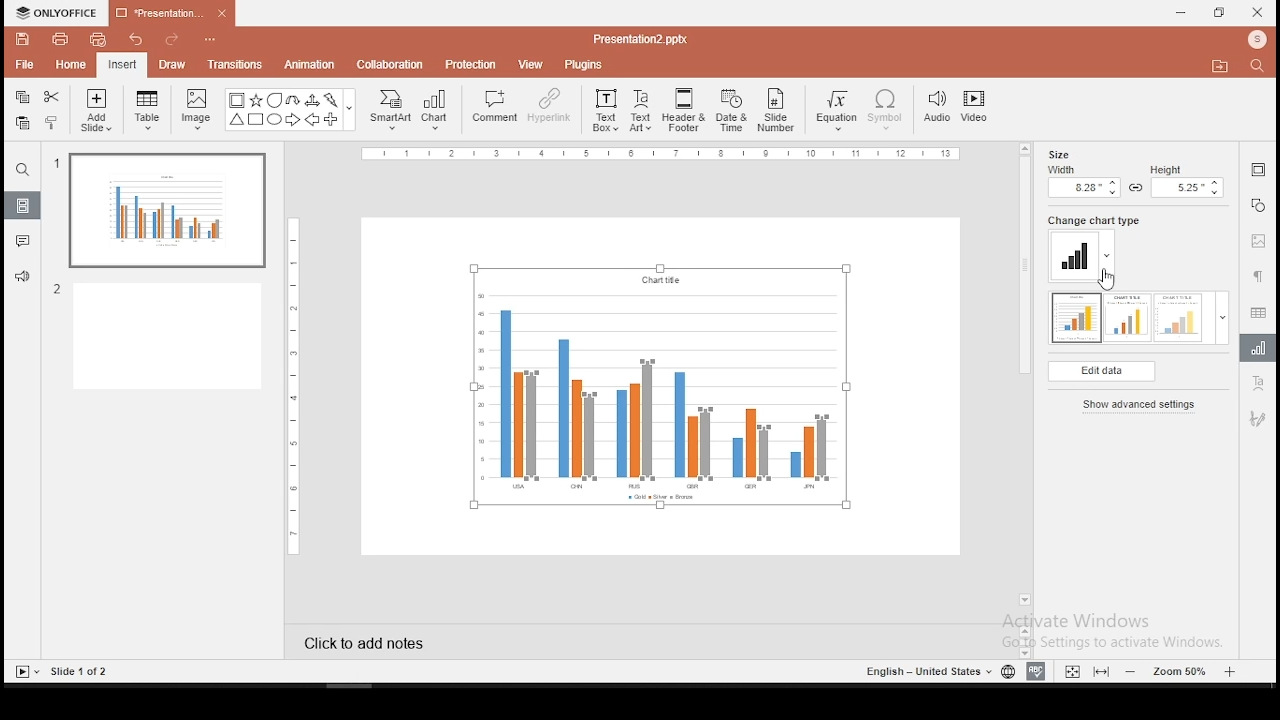 This screenshot has height=720, width=1280. I want to click on animation, so click(312, 65).